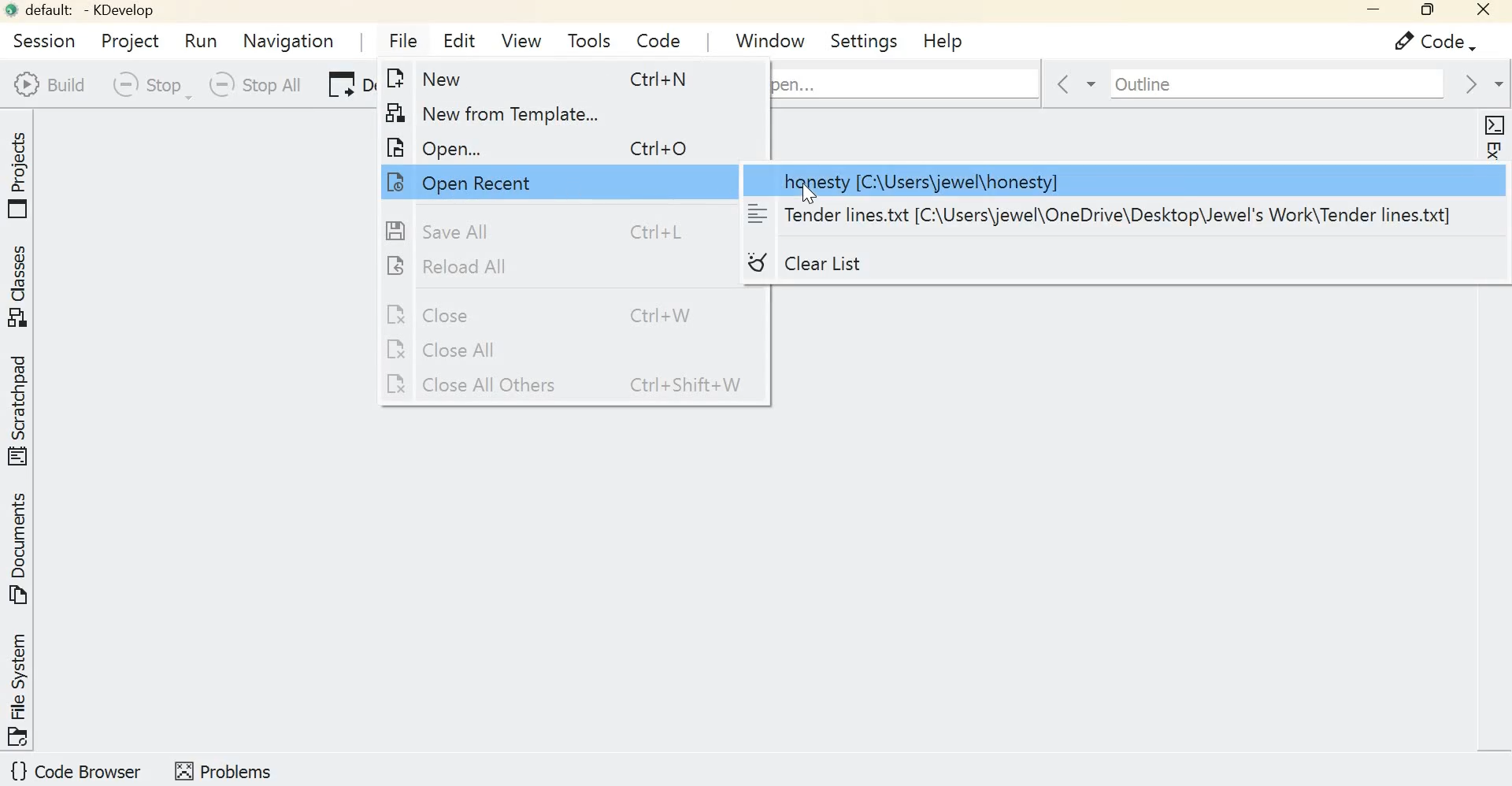 The image size is (1512, 786). What do you see at coordinates (867, 40) in the screenshot?
I see `Settings` at bounding box center [867, 40].